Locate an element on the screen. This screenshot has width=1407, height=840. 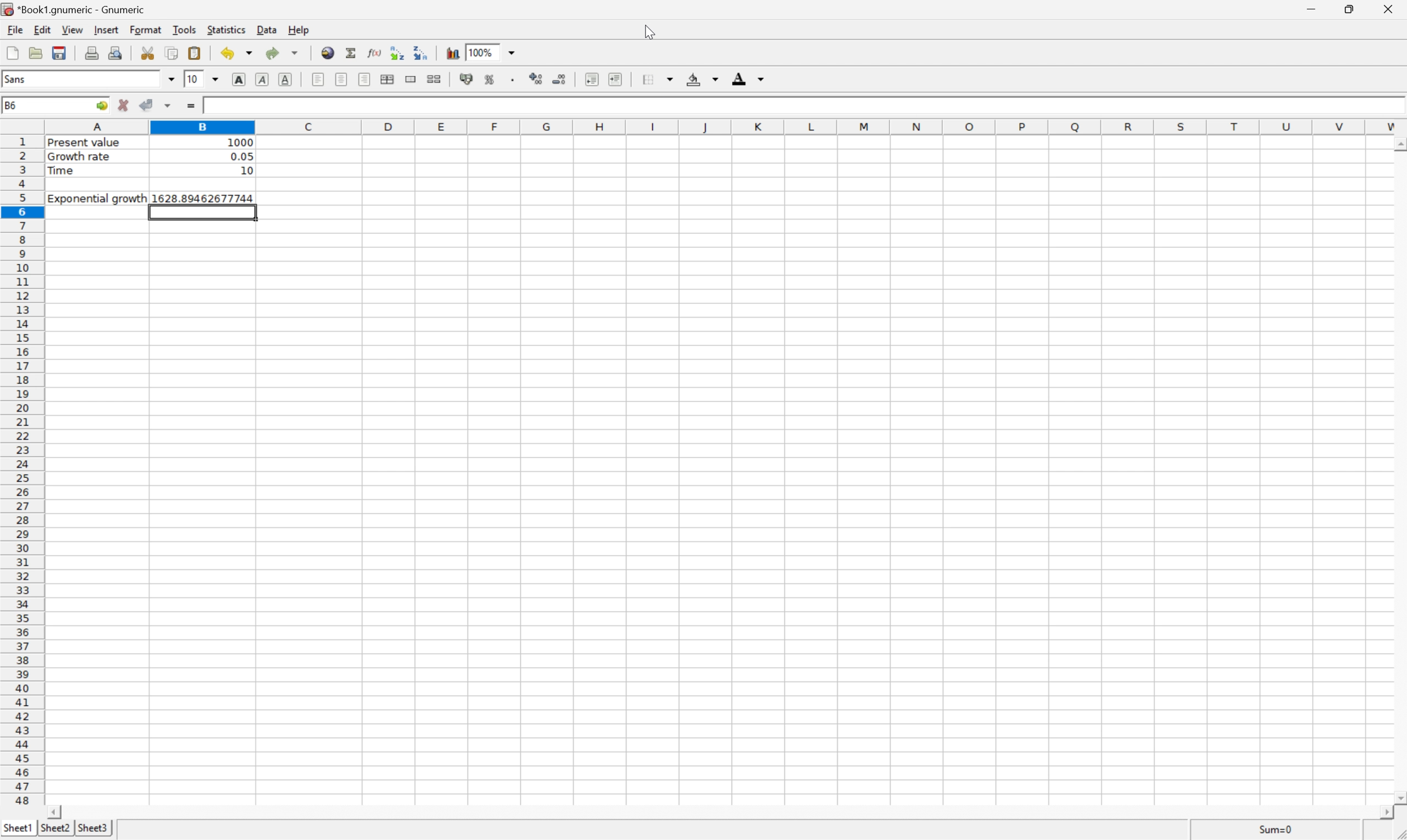
Split merged ranges of cells is located at coordinates (434, 78).